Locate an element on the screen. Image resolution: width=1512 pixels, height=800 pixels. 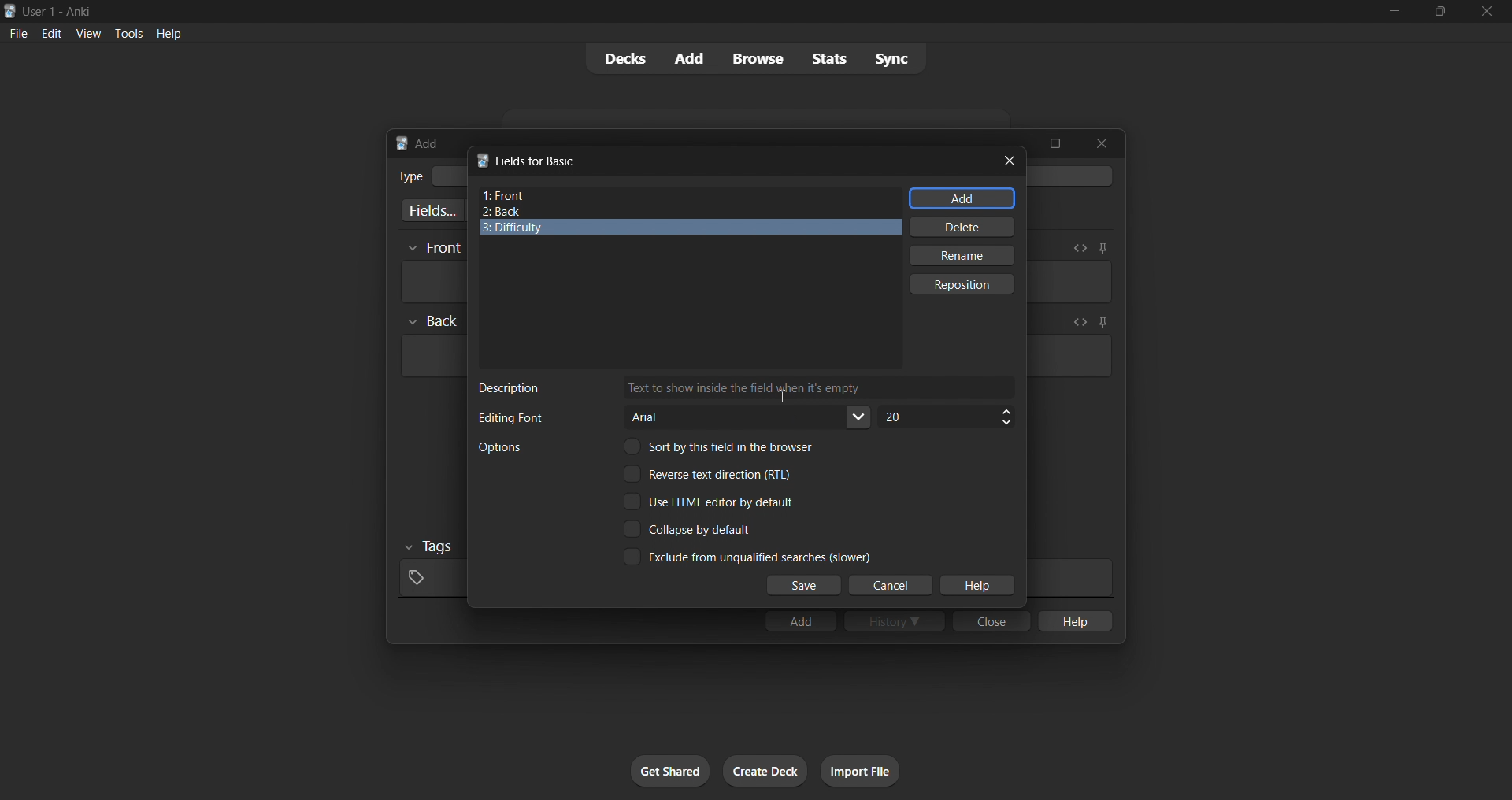
save is located at coordinates (804, 586).